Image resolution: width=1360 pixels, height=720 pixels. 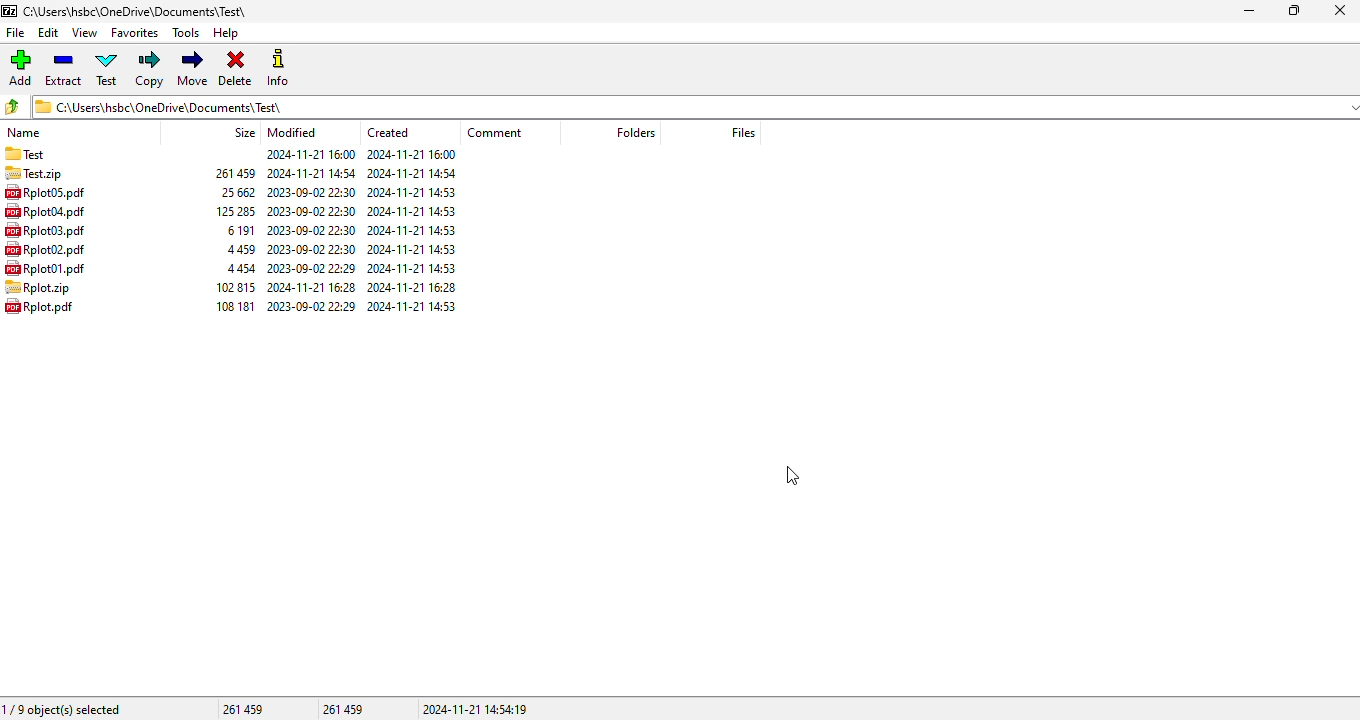 What do you see at coordinates (48, 32) in the screenshot?
I see `edit` at bounding box center [48, 32].